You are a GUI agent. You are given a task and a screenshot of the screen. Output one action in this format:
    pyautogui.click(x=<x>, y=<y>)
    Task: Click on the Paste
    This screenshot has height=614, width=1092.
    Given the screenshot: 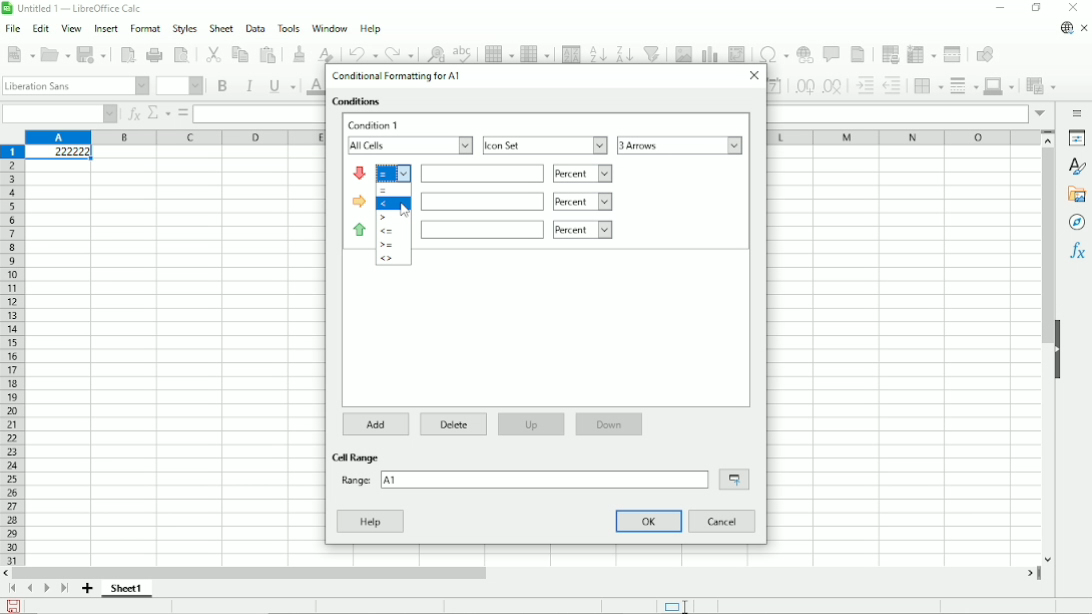 What is the action you would take?
    pyautogui.click(x=268, y=52)
    